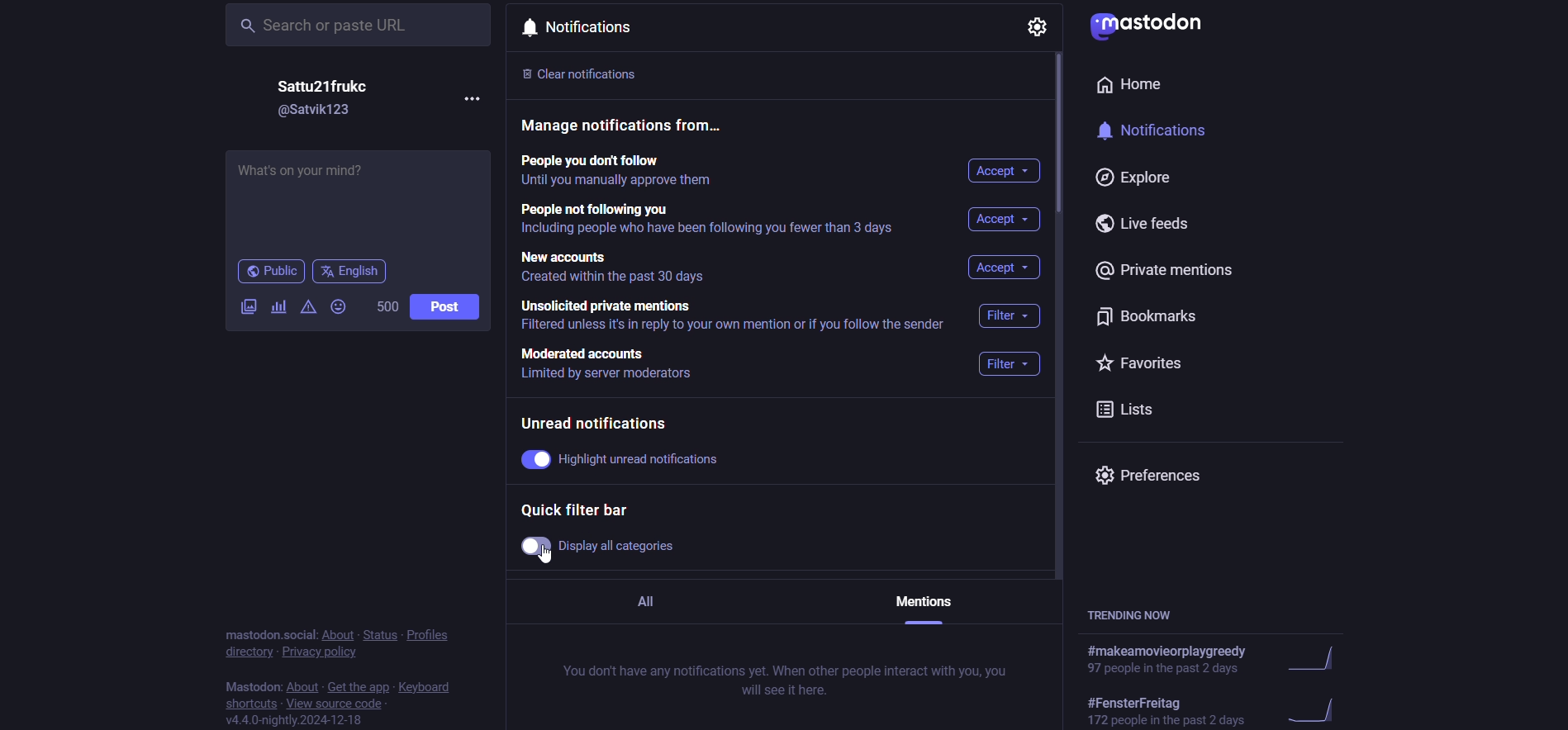 This screenshot has height=730, width=1568. I want to click on cursor, so click(549, 558).